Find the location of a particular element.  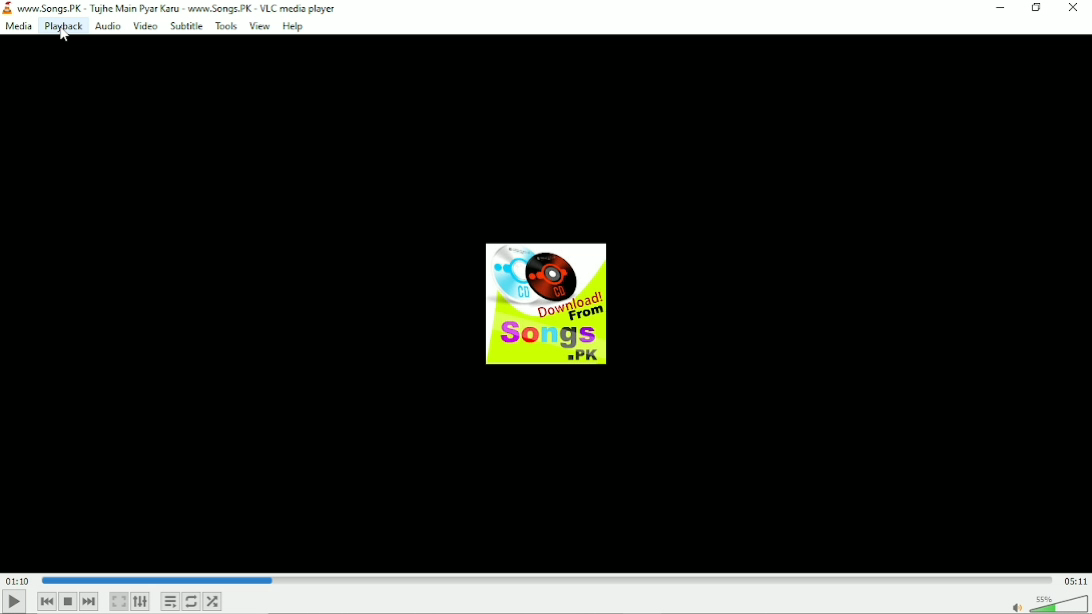

Stop playback is located at coordinates (68, 602).